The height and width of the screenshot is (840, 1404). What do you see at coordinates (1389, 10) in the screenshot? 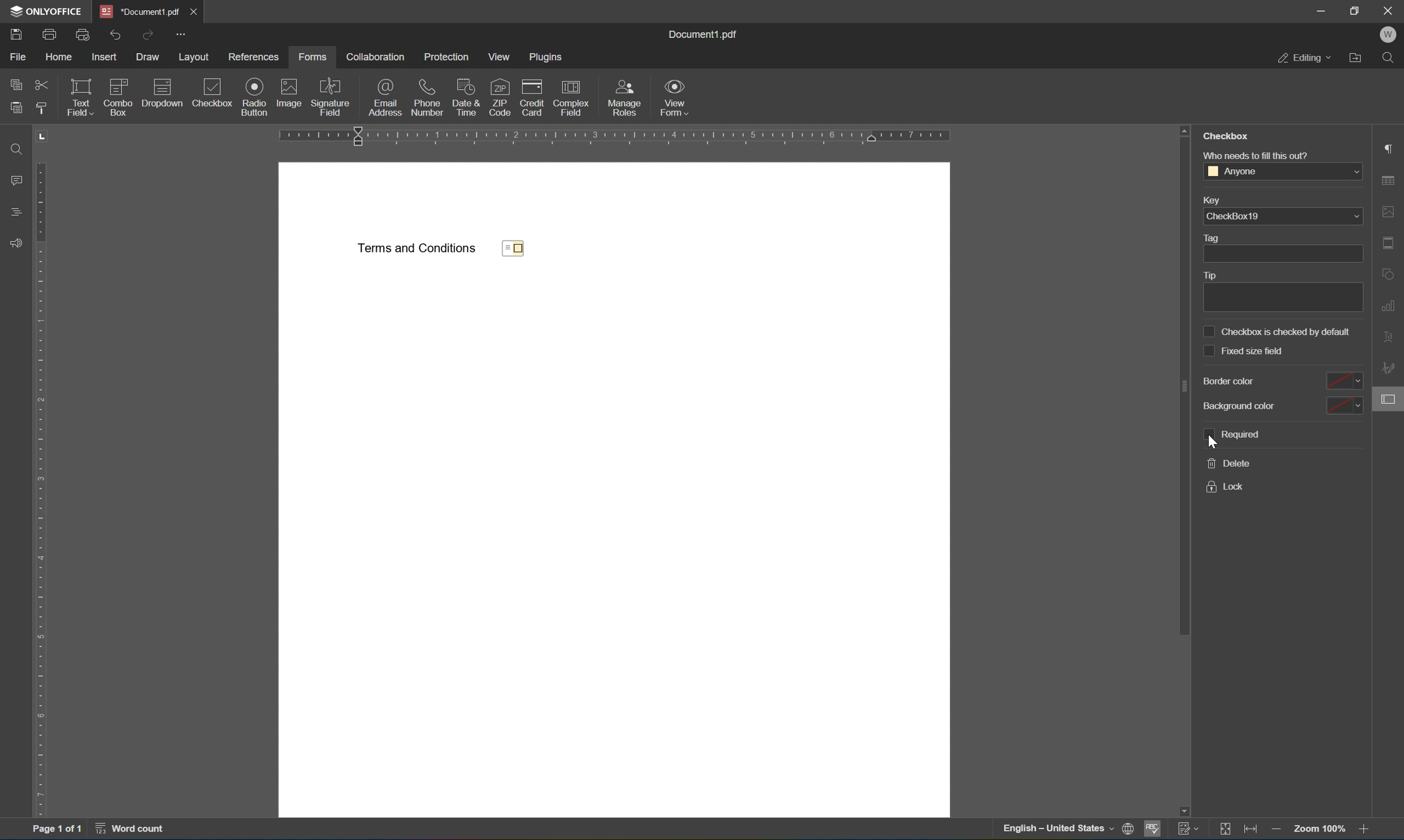
I see `close` at bounding box center [1389, 10].